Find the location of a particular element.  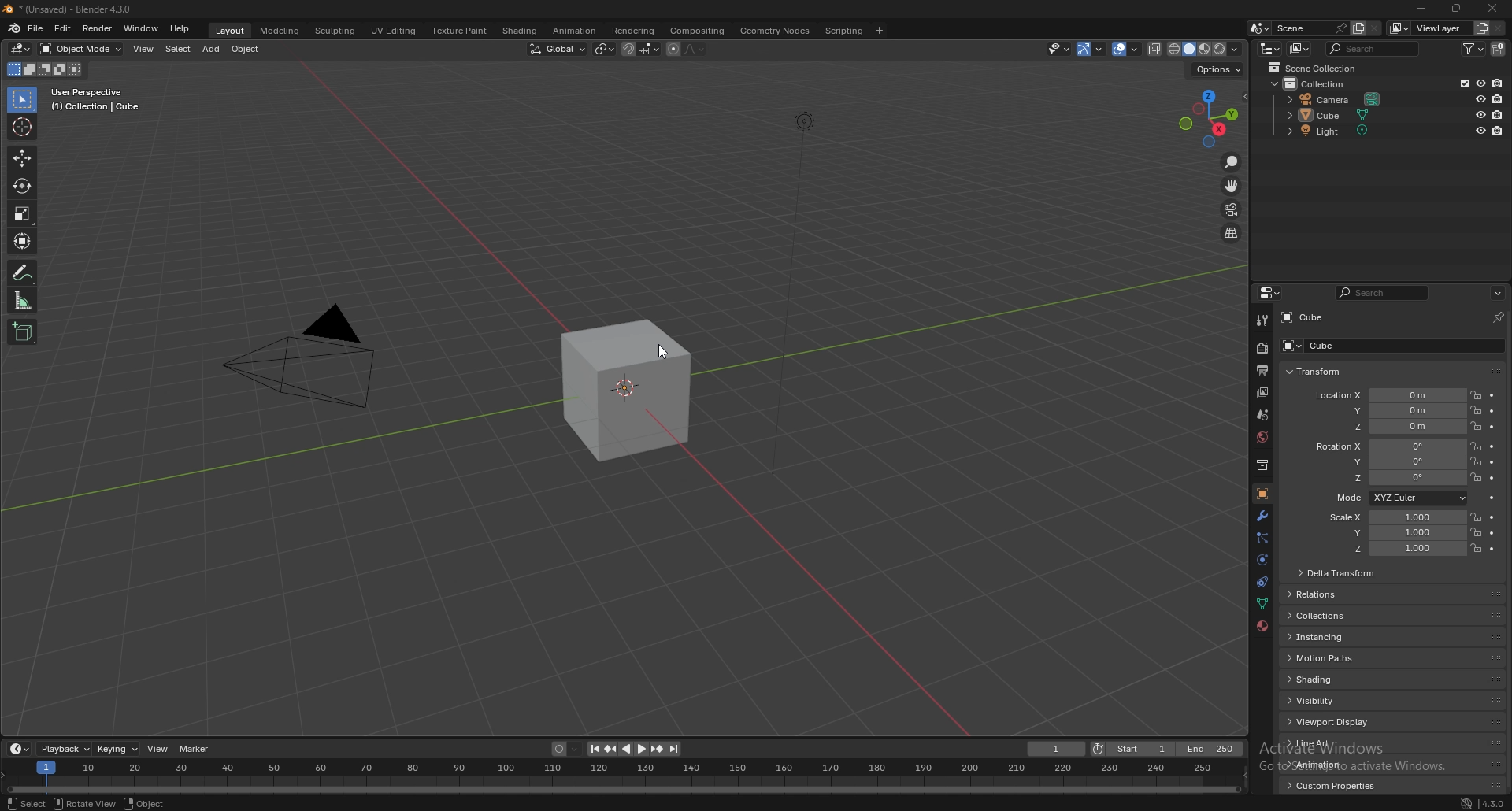

rotate is located at coordinates (21, 186).